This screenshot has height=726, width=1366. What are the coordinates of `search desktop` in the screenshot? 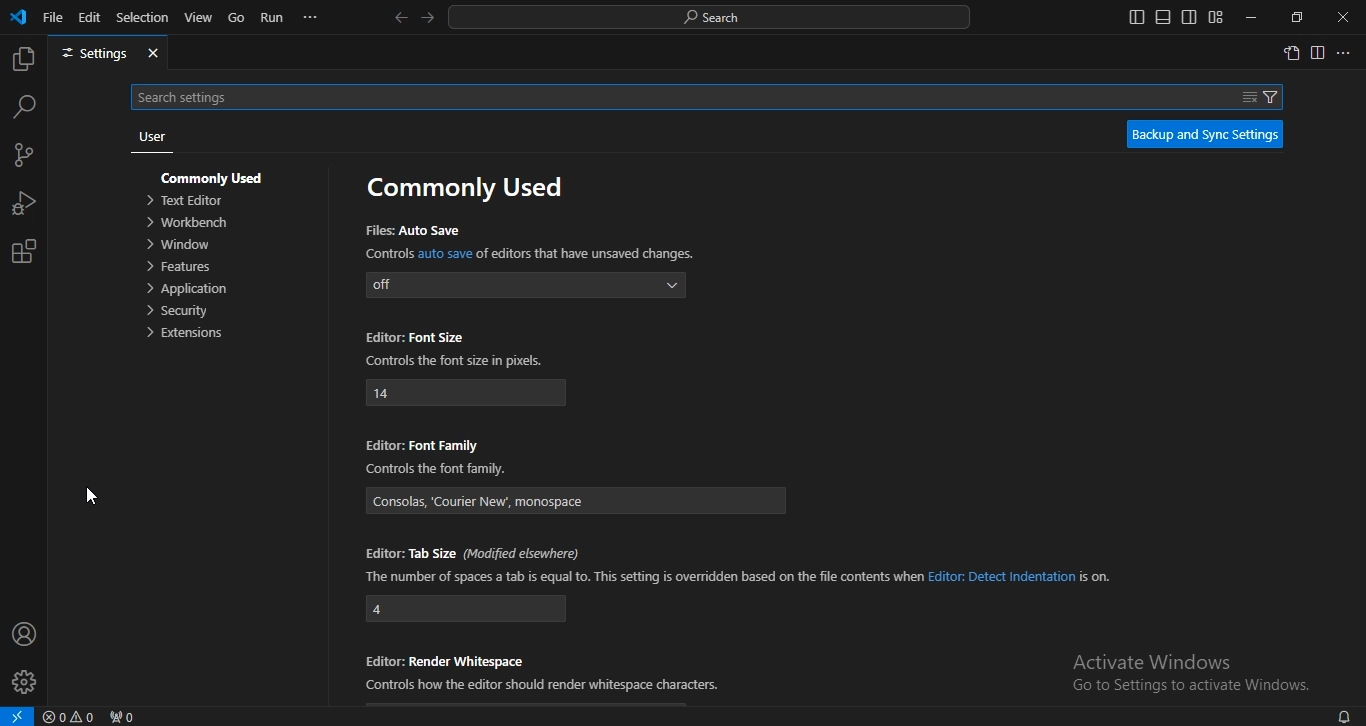 It's located at (715, 18).